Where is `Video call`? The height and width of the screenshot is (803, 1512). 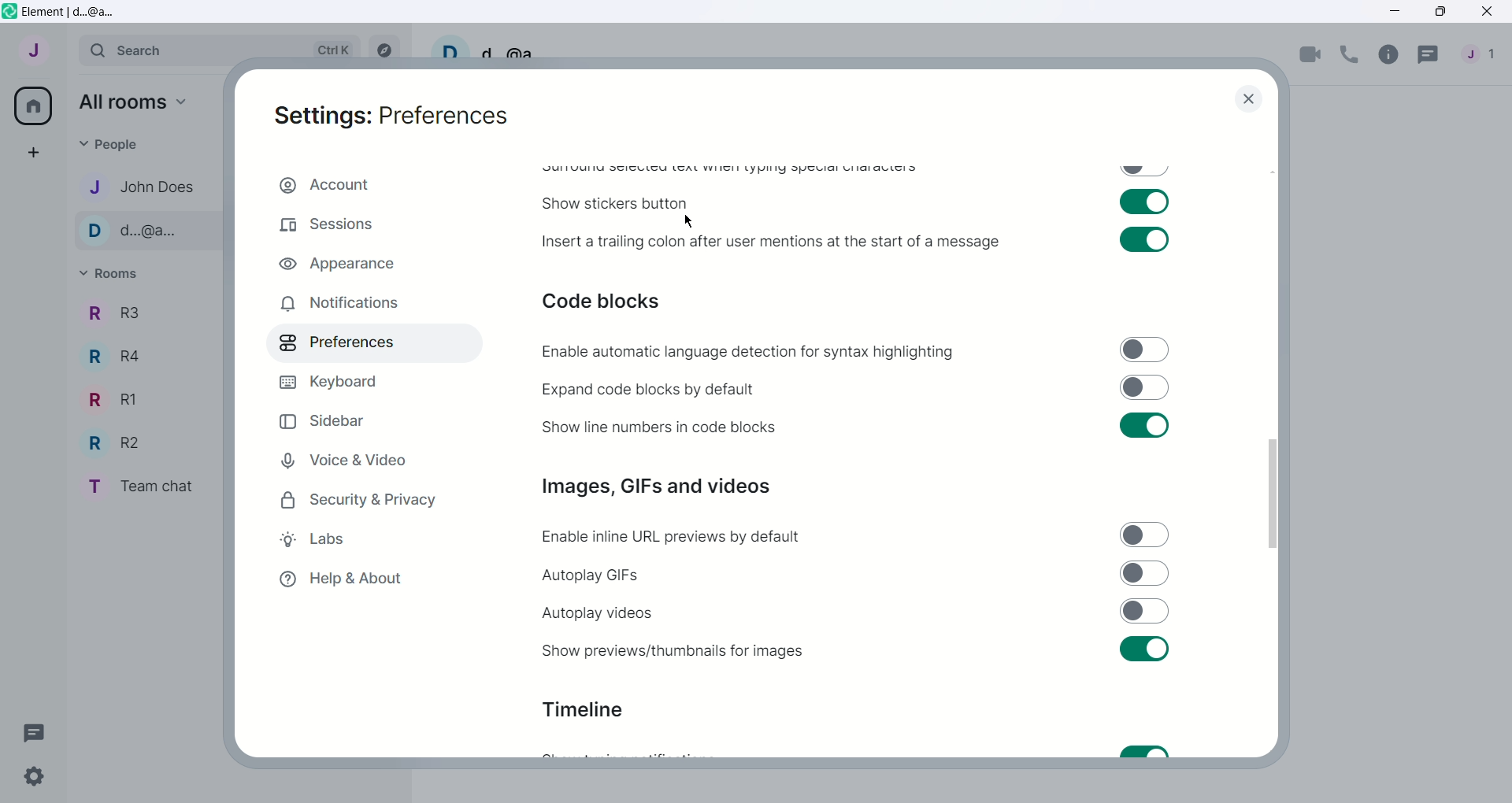 Video call is located at coordinates (1310, 56).